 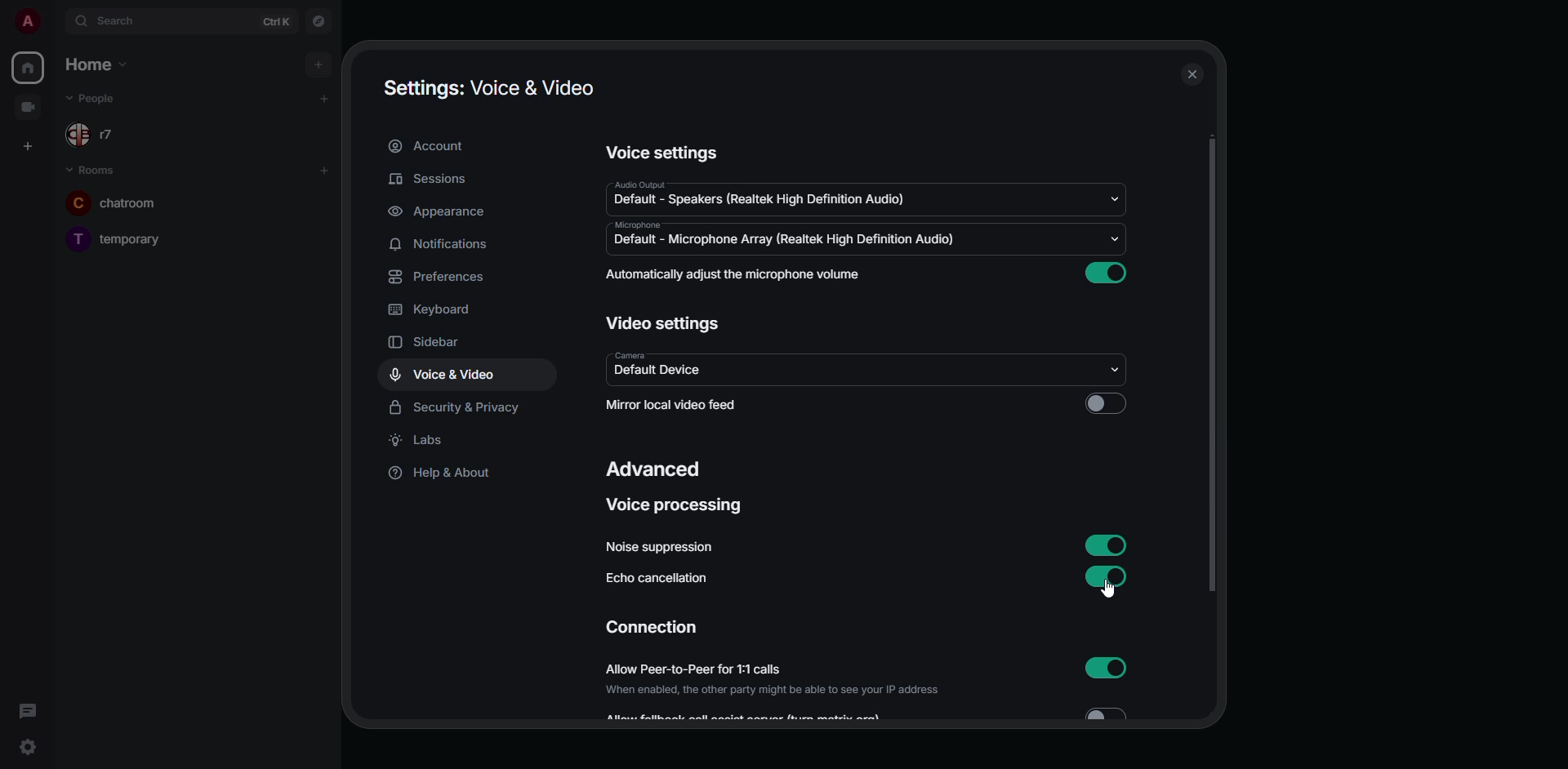 What do you see at coordinates (278, 21) in the screenshot?
I see `ctrl K` at bounding box center [278, 21].